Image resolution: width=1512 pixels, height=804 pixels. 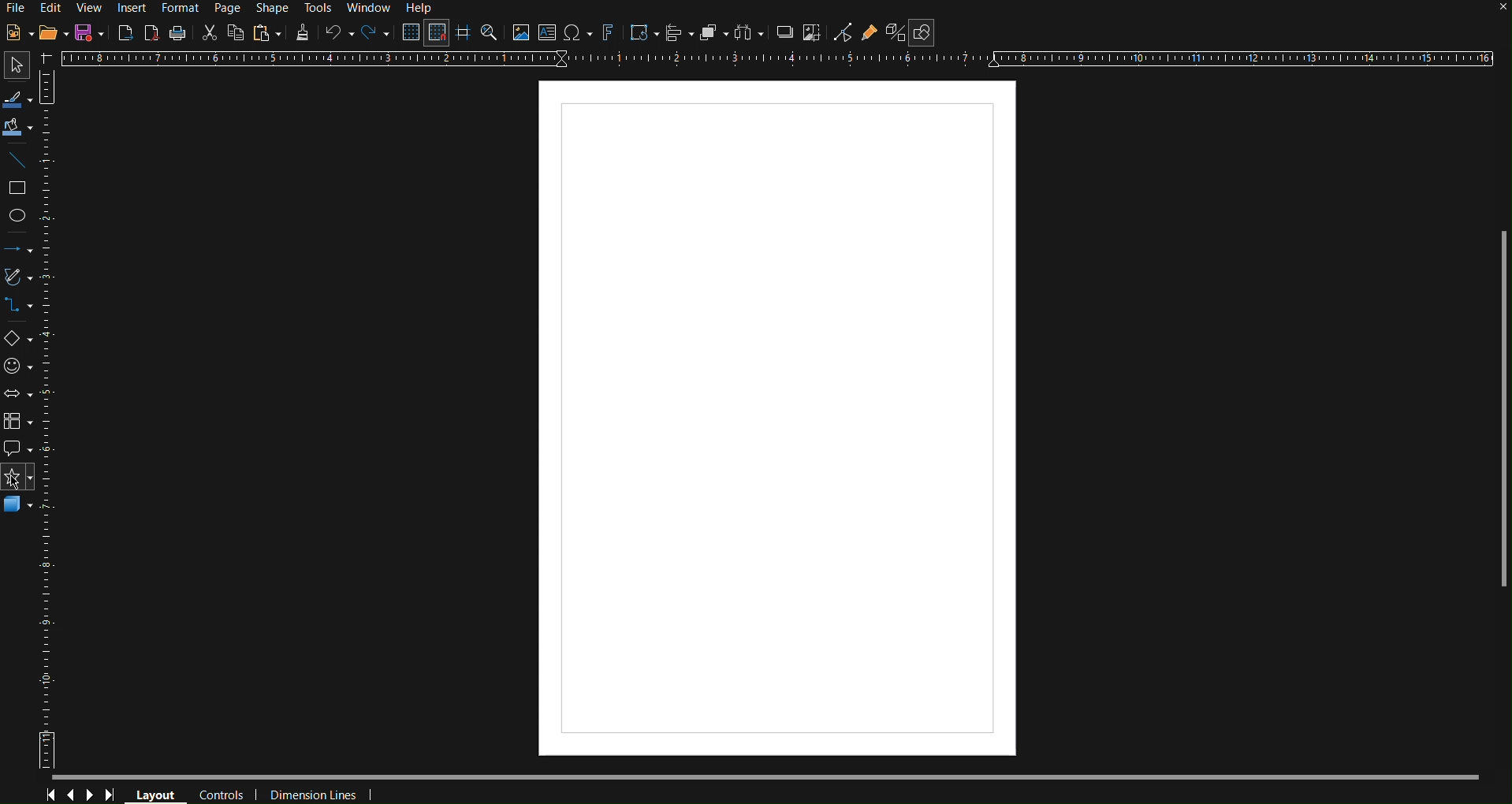 I want to click on Vertical Ruler, so click(x=53, y=419).